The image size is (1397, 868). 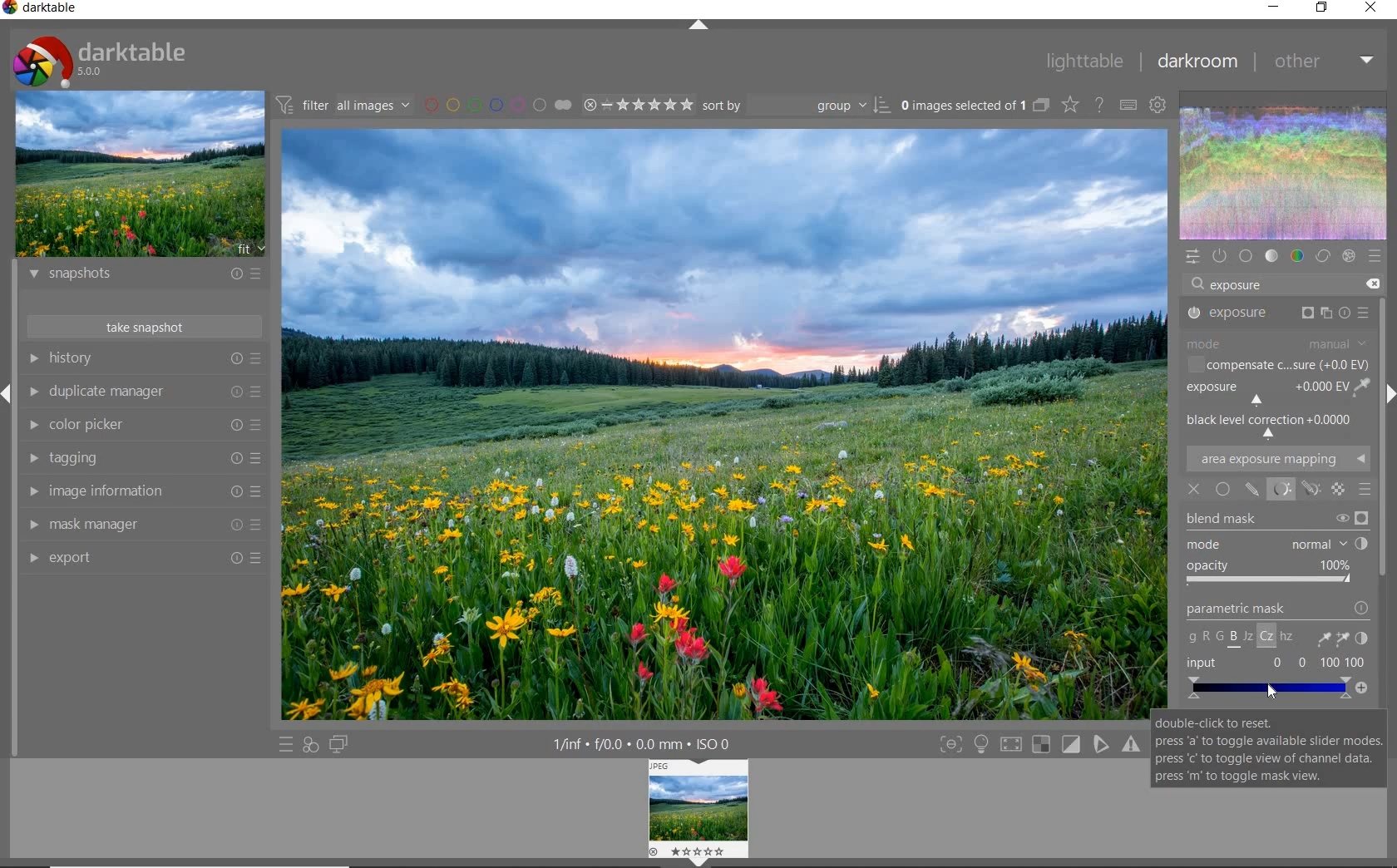 I want to click on history, so click(x=143, y=358).